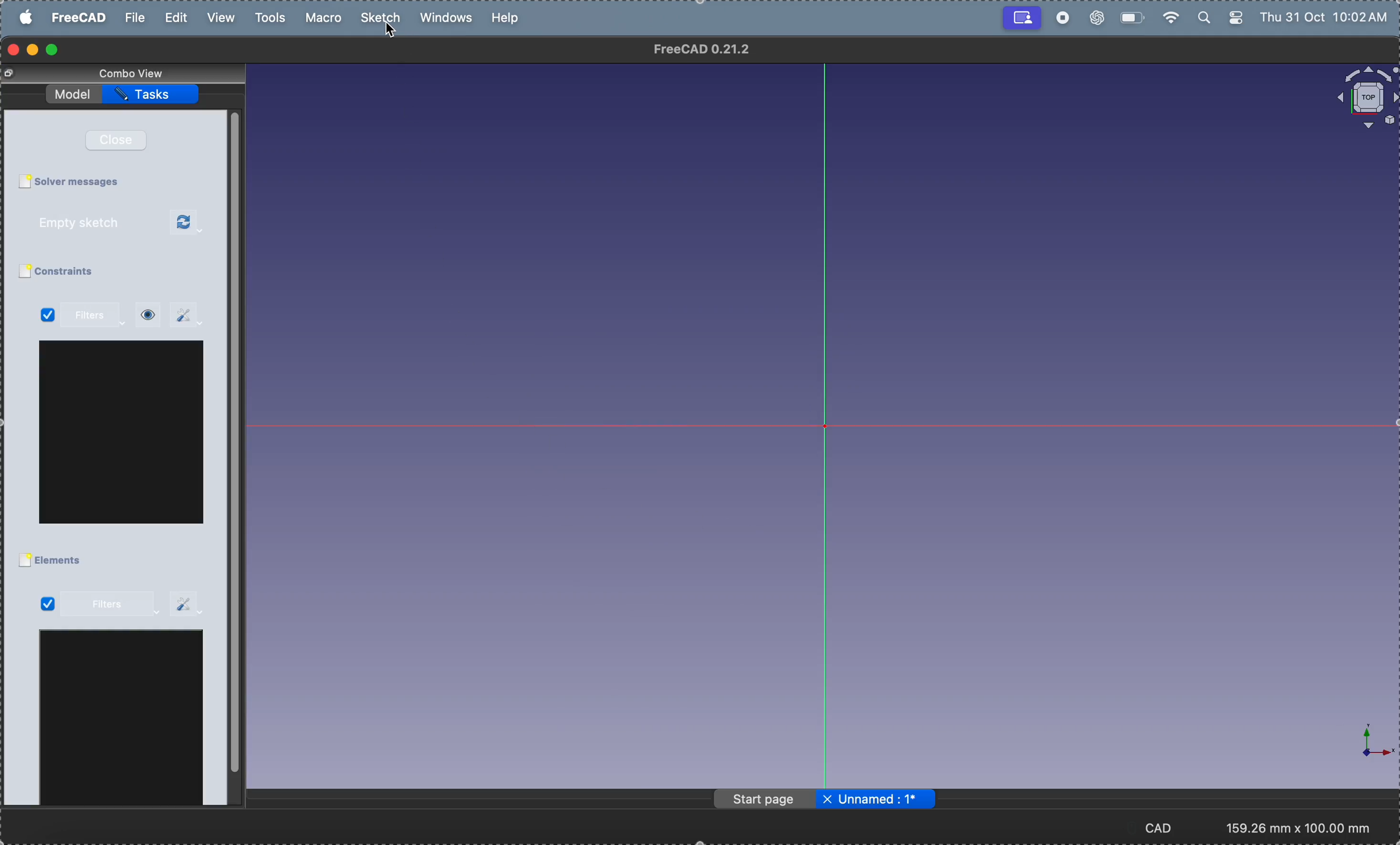 This screenshot has height=845, width=1400. Describe the element at coordinates (703, 49) in the screenshot. I see `FreeCAD 0.21.2` at that location.